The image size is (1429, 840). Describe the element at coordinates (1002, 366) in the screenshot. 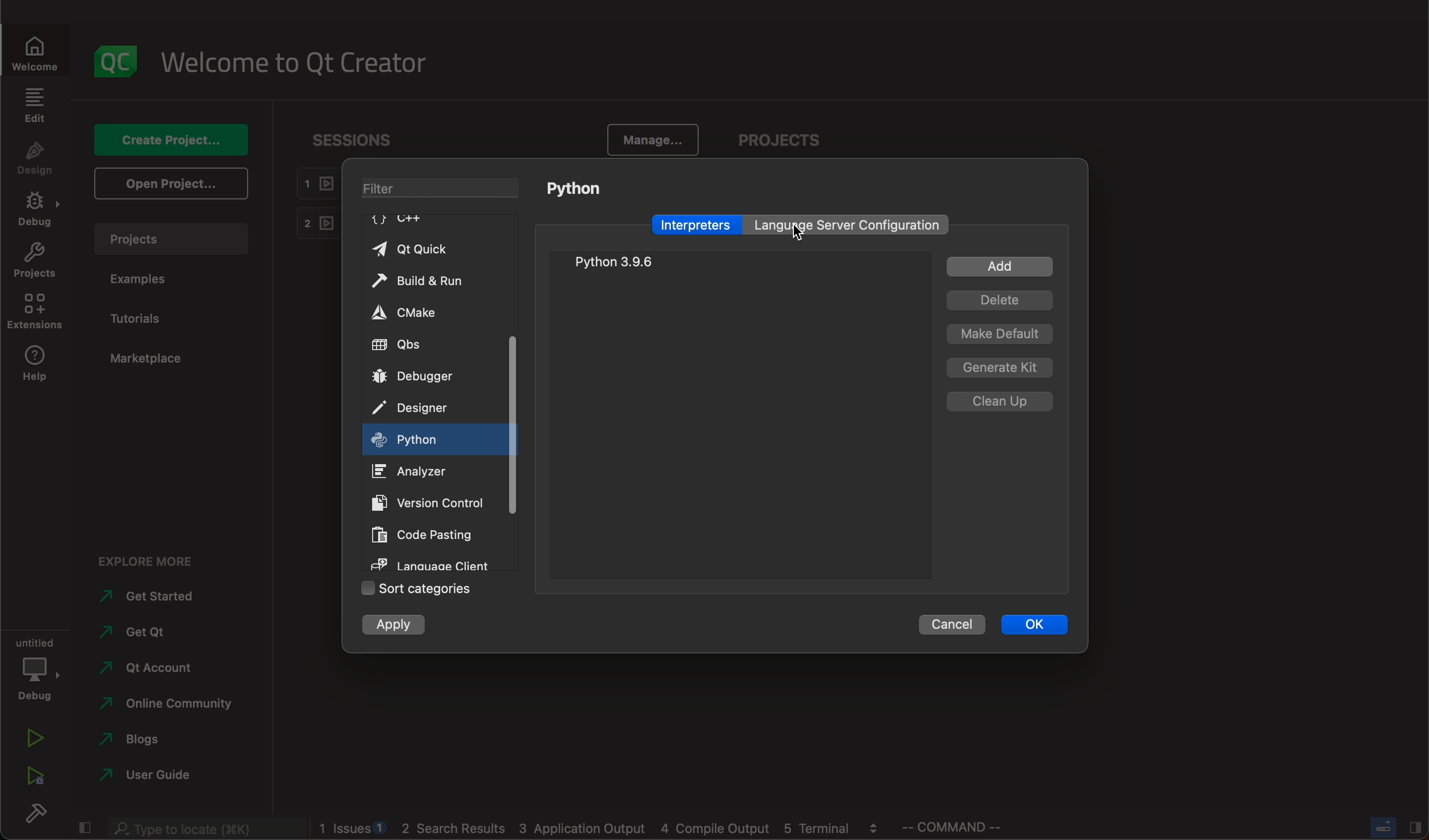

I see `kit` at that location.